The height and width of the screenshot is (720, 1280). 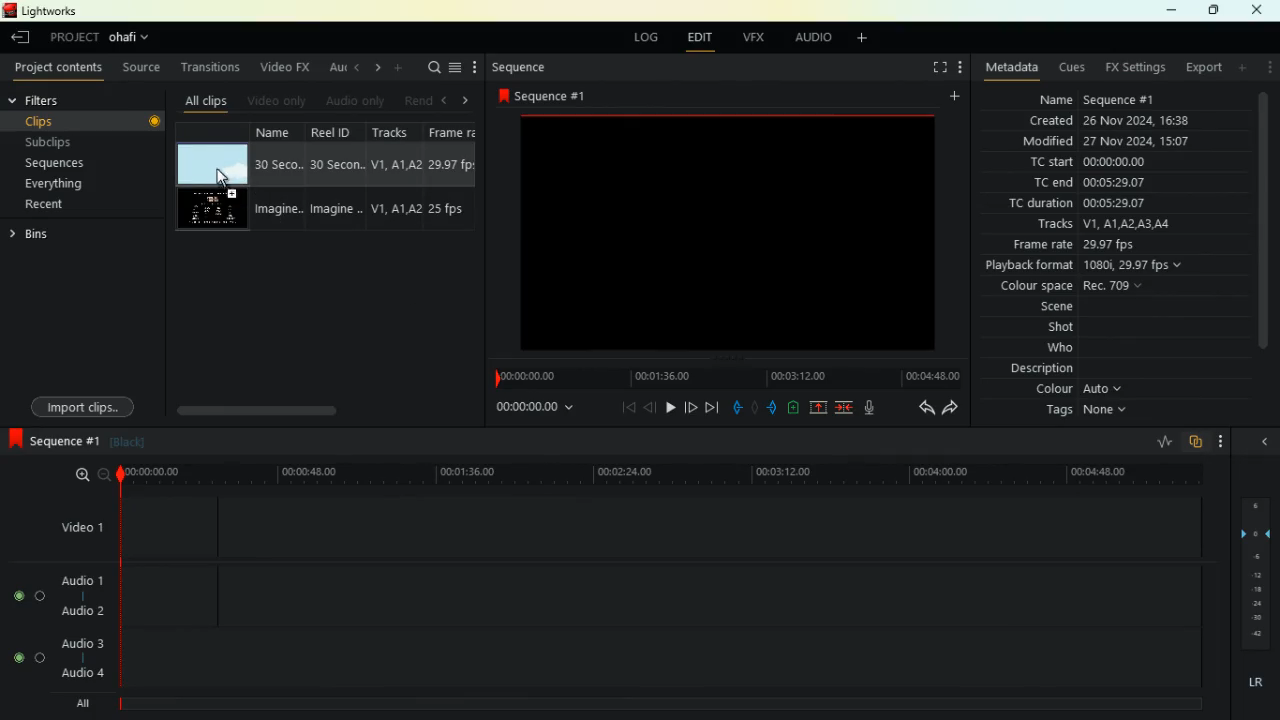 What do you see at coordinates (43, 11) in the screenshot?
I see `lightworks` at bounding box center [43, 11].